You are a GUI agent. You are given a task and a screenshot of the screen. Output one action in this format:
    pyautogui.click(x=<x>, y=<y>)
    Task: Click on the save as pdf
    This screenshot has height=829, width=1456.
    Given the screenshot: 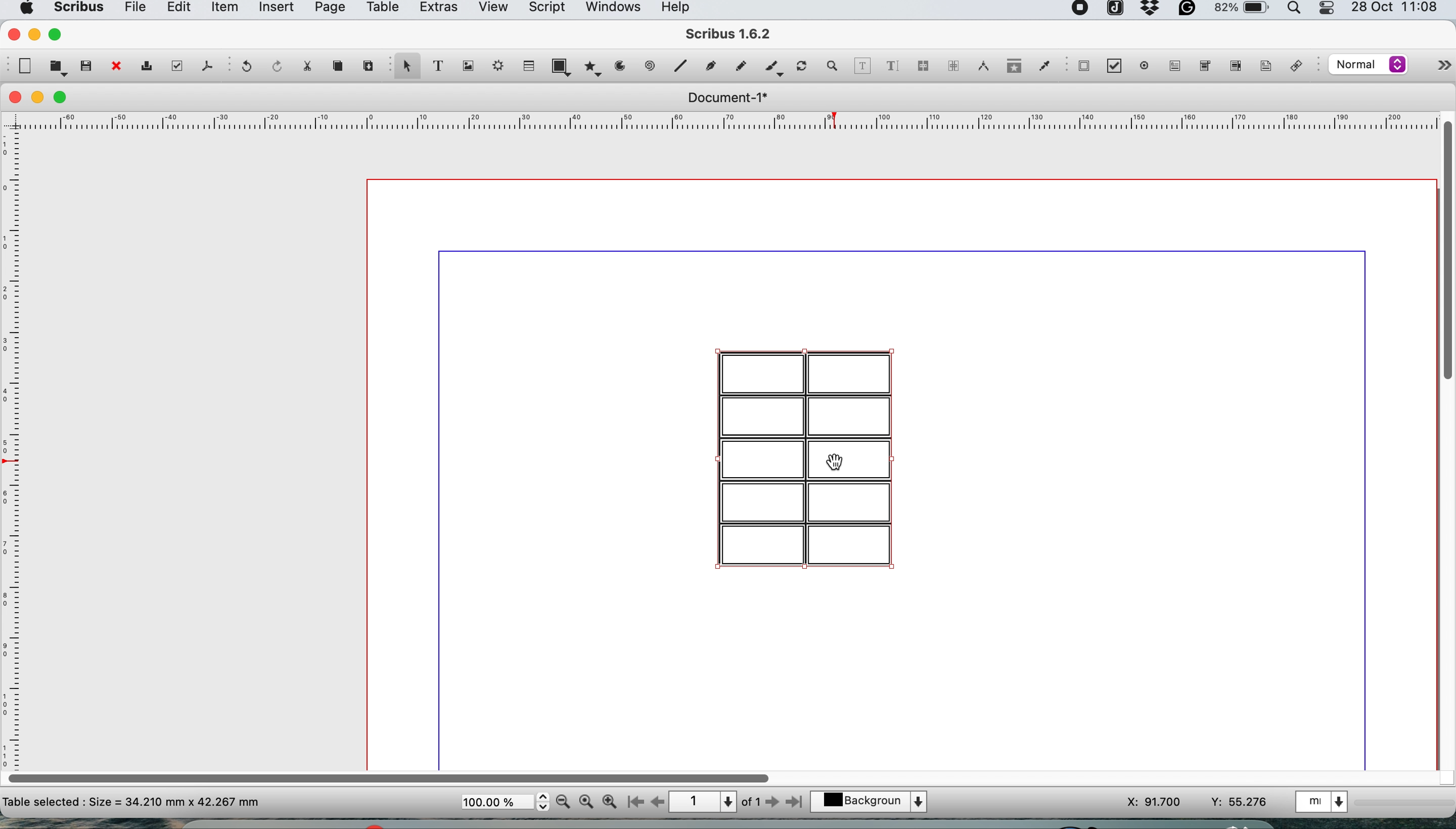 What is the action you would take?
    pyautogui.click(x=206, y=65)
    